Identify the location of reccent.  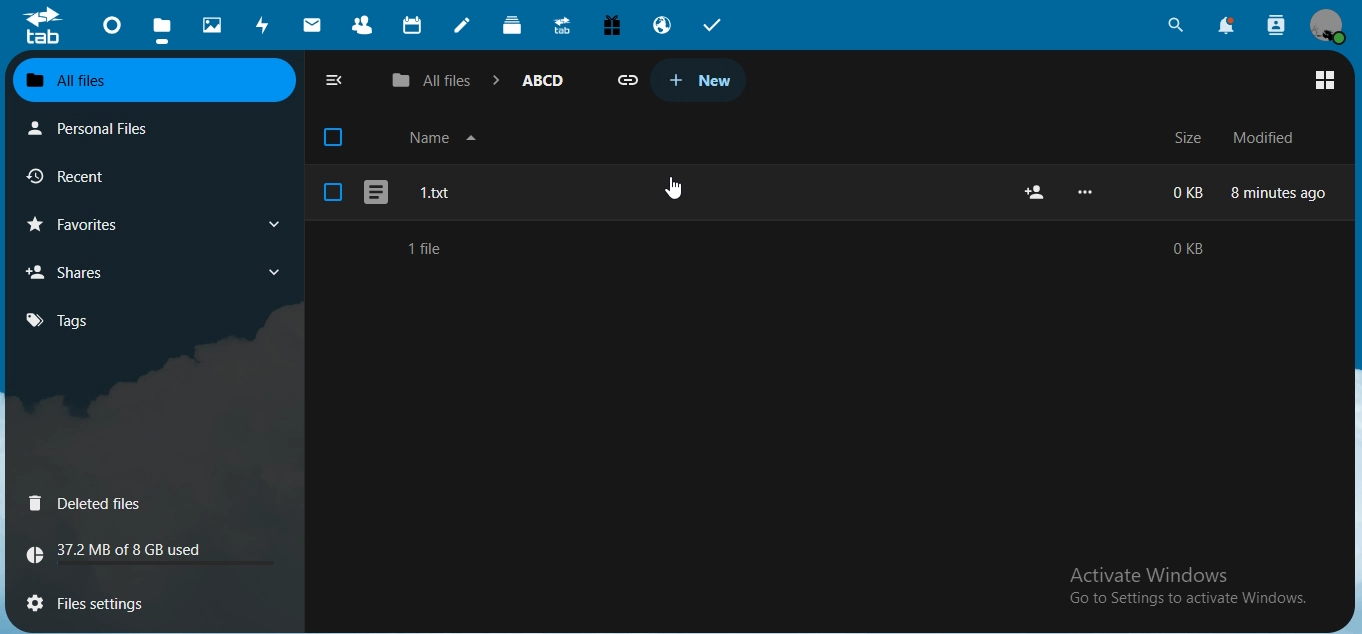
(90, 179).